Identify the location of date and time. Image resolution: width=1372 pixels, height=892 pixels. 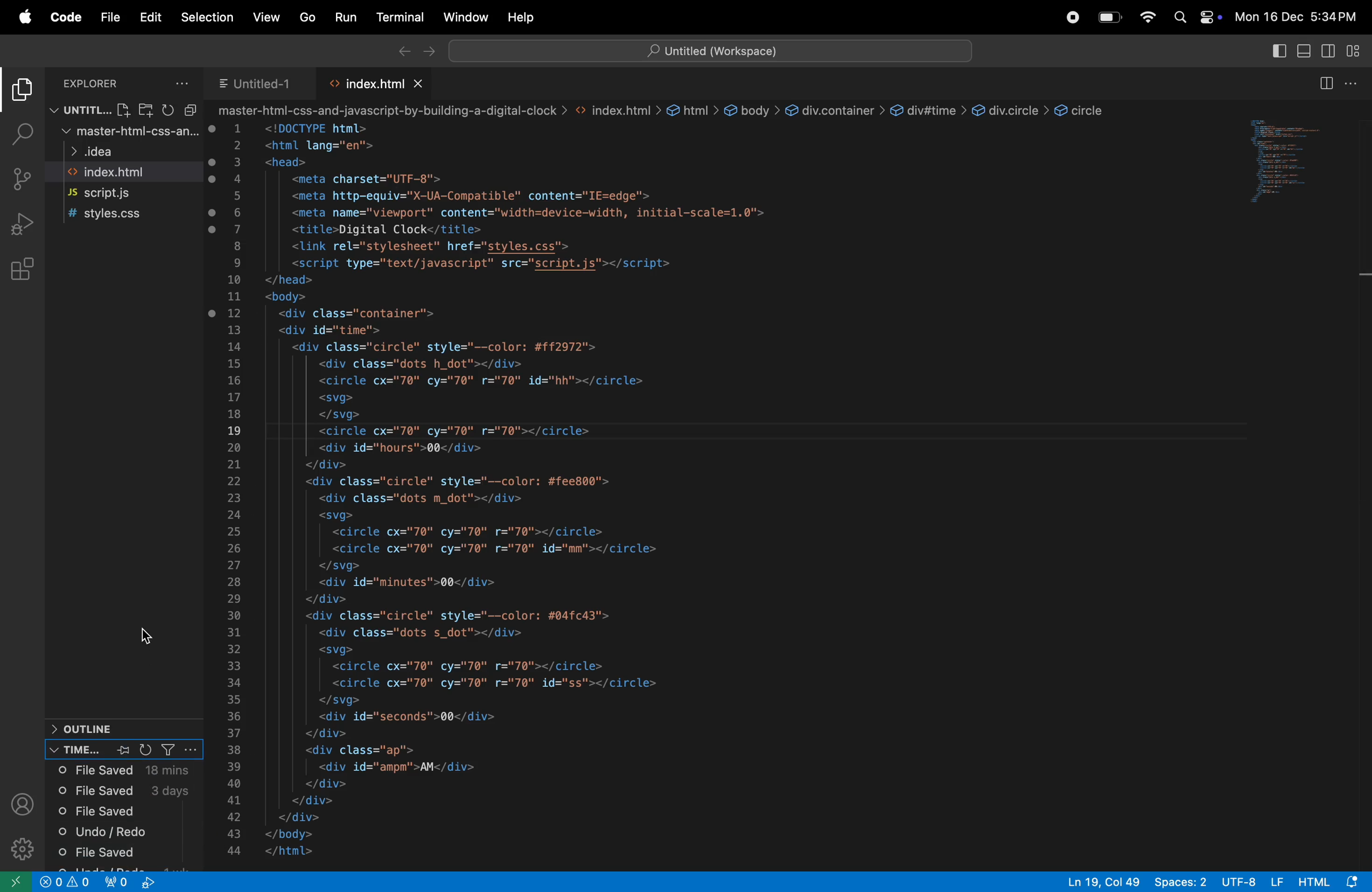
(1297, 16).